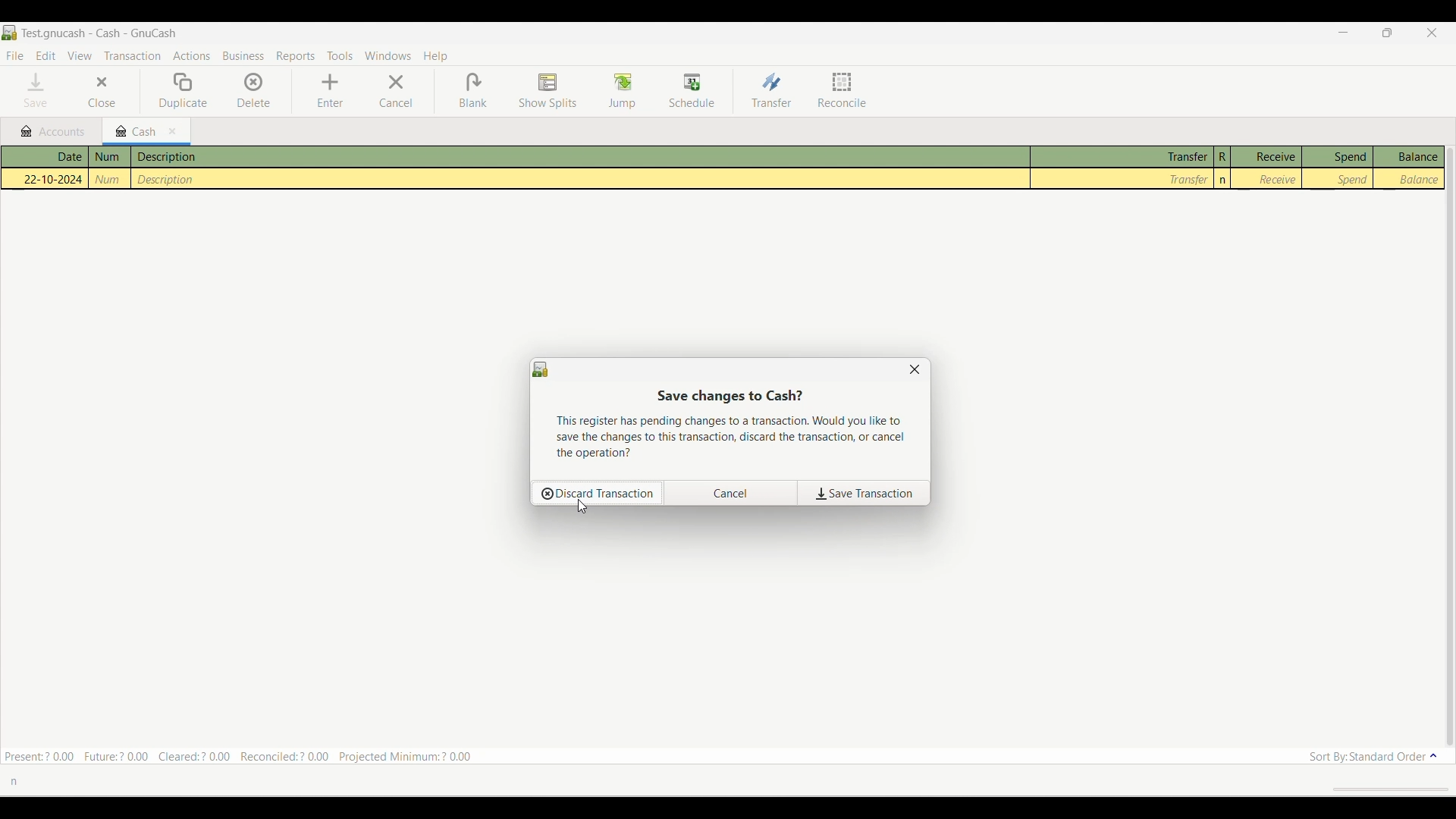 This screenshot has height=819, width=1456. I want to click on Name column, so click(112, 168).